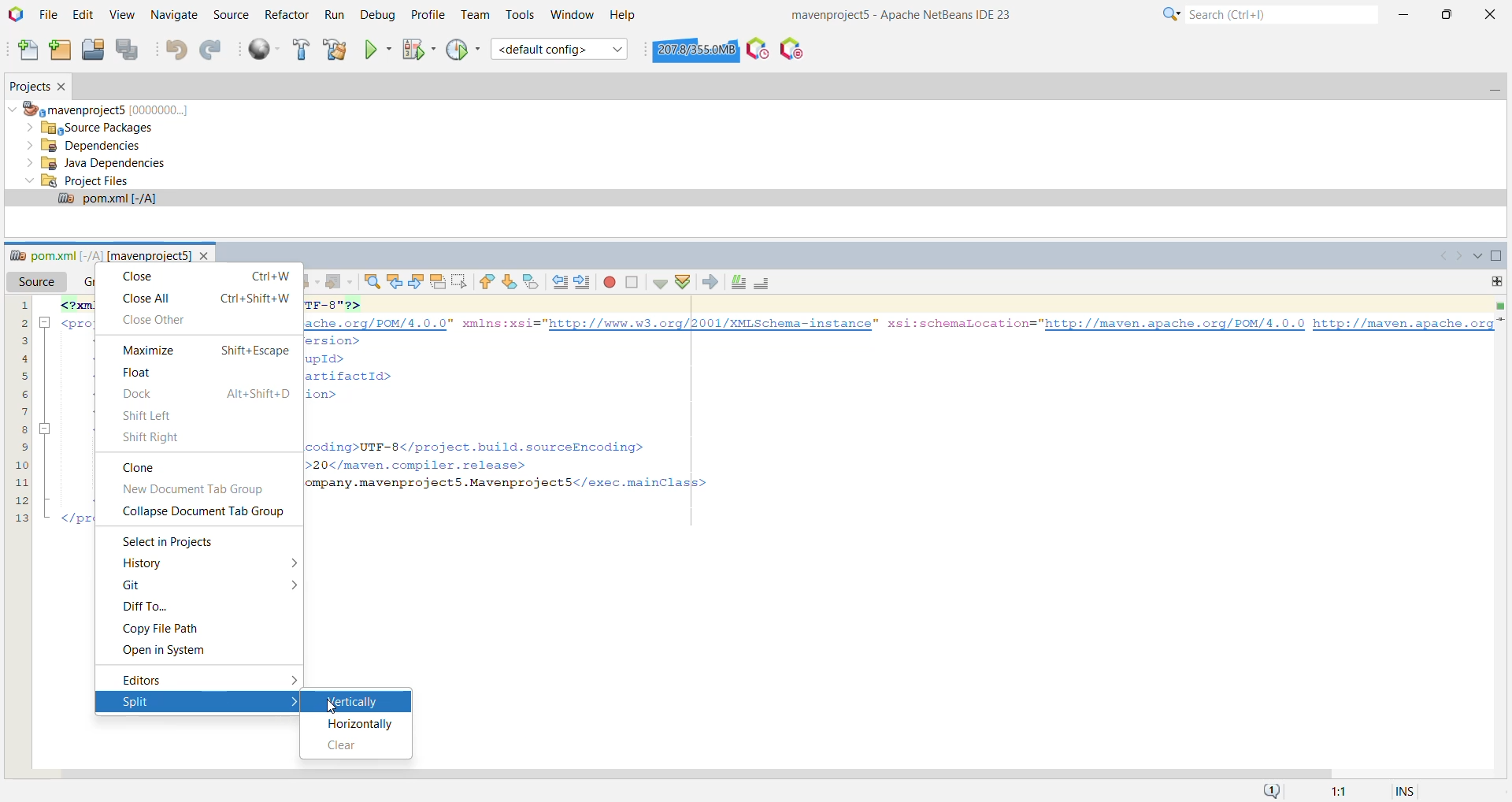  Describe the element at coordinates (93, 50) in the screenshot. I see `Open Project` at that location.